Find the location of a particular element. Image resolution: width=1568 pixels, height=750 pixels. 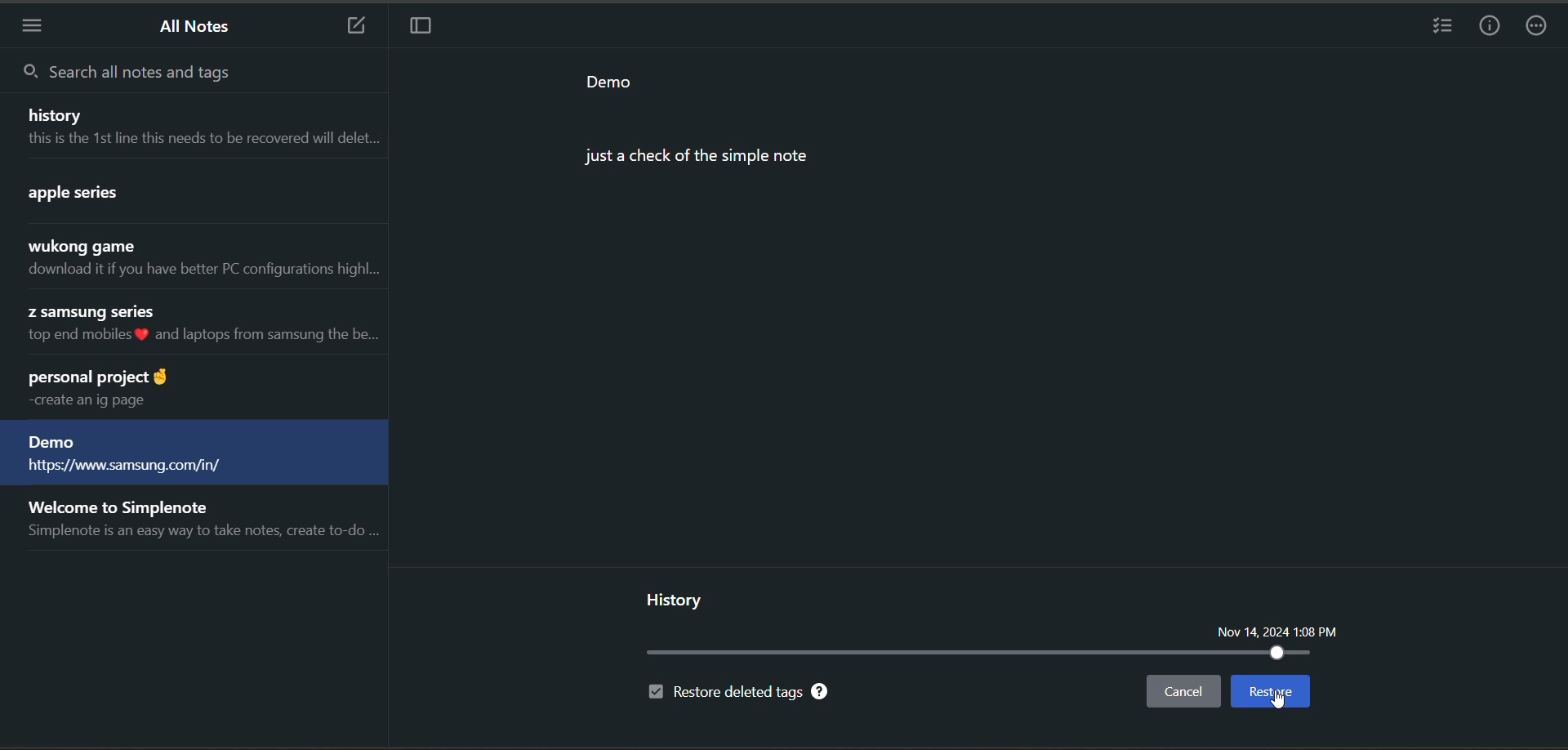

note title and preview is located at coordinates (201, 523).